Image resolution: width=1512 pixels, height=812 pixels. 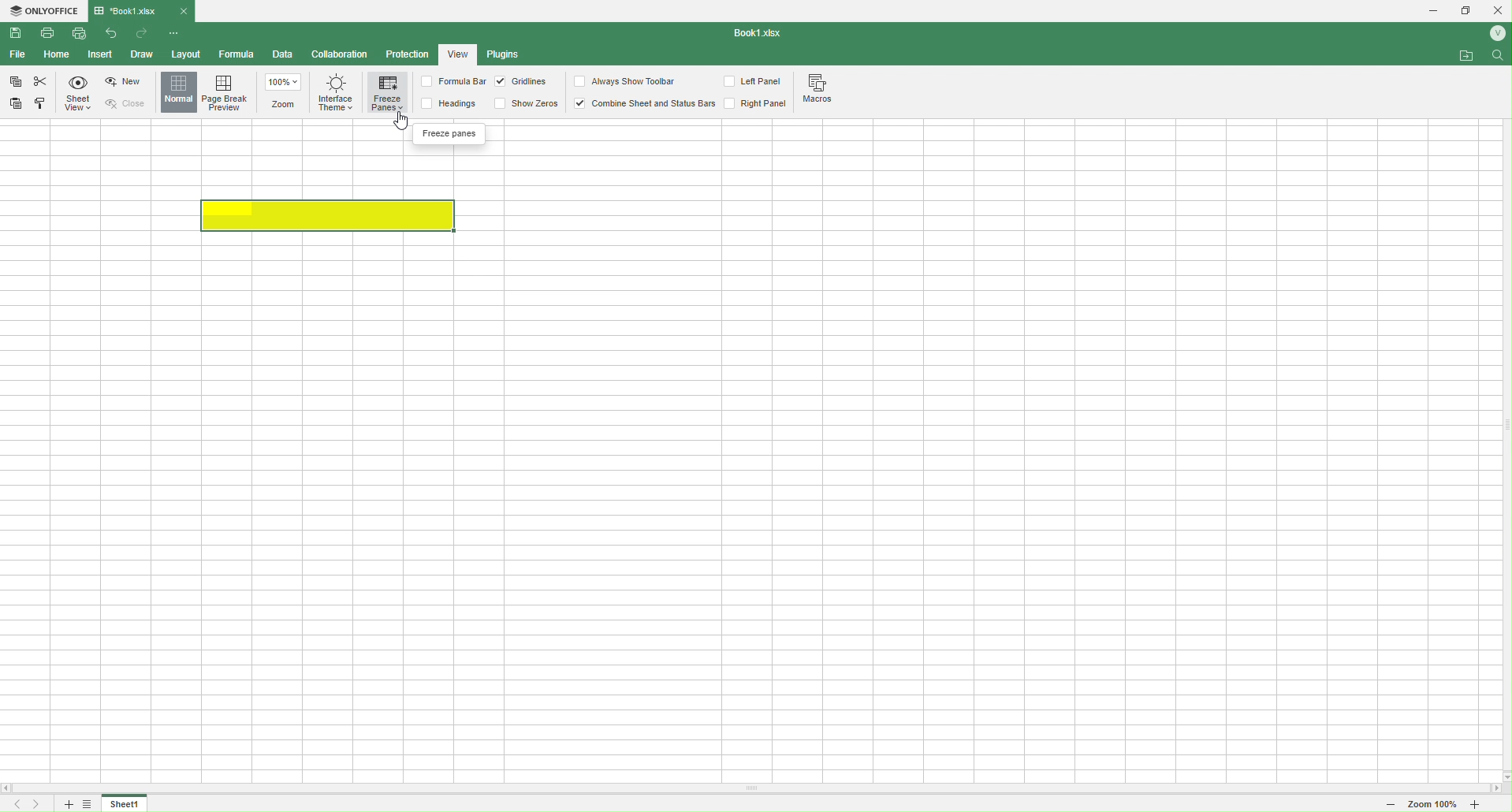 What do you see at coordinates (40, 81) in the screenshot?
I see `Cut` at bounding box center [40, 81].